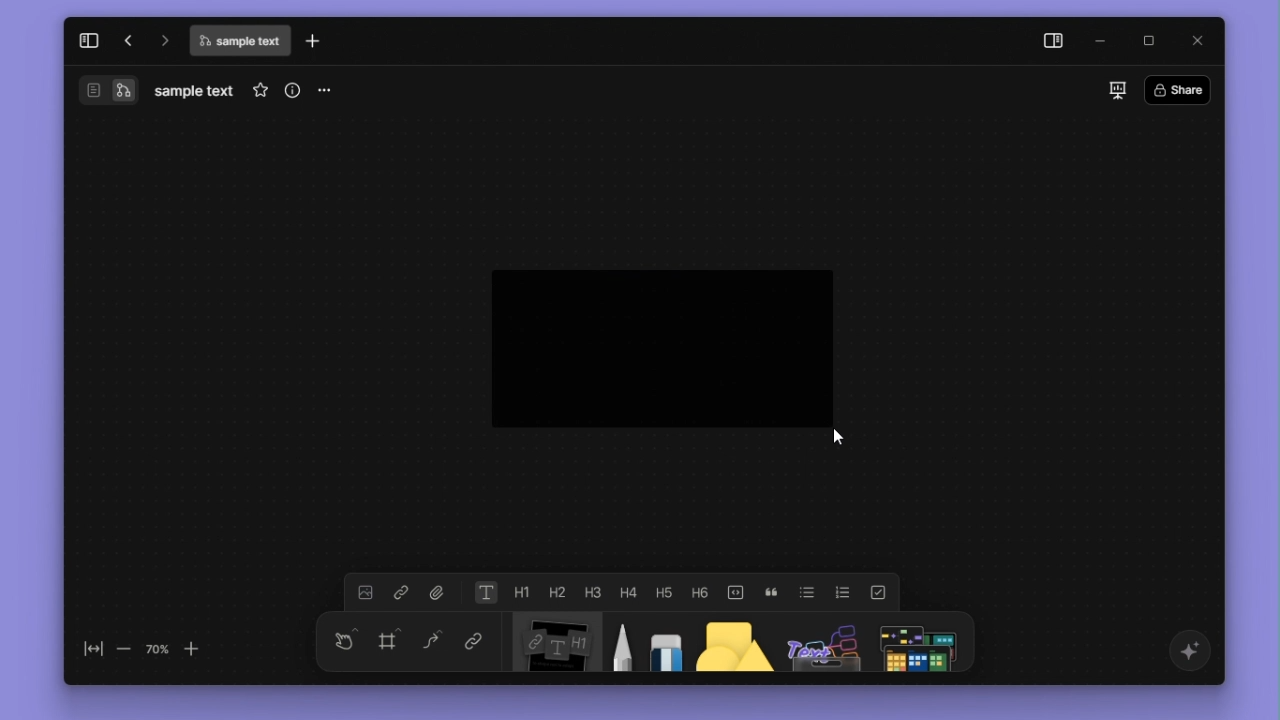 The width and height of the screenshot is (1280, 720). Describe the element at coordinates (194, 91) in the screenshot. I see `file name` at that location.